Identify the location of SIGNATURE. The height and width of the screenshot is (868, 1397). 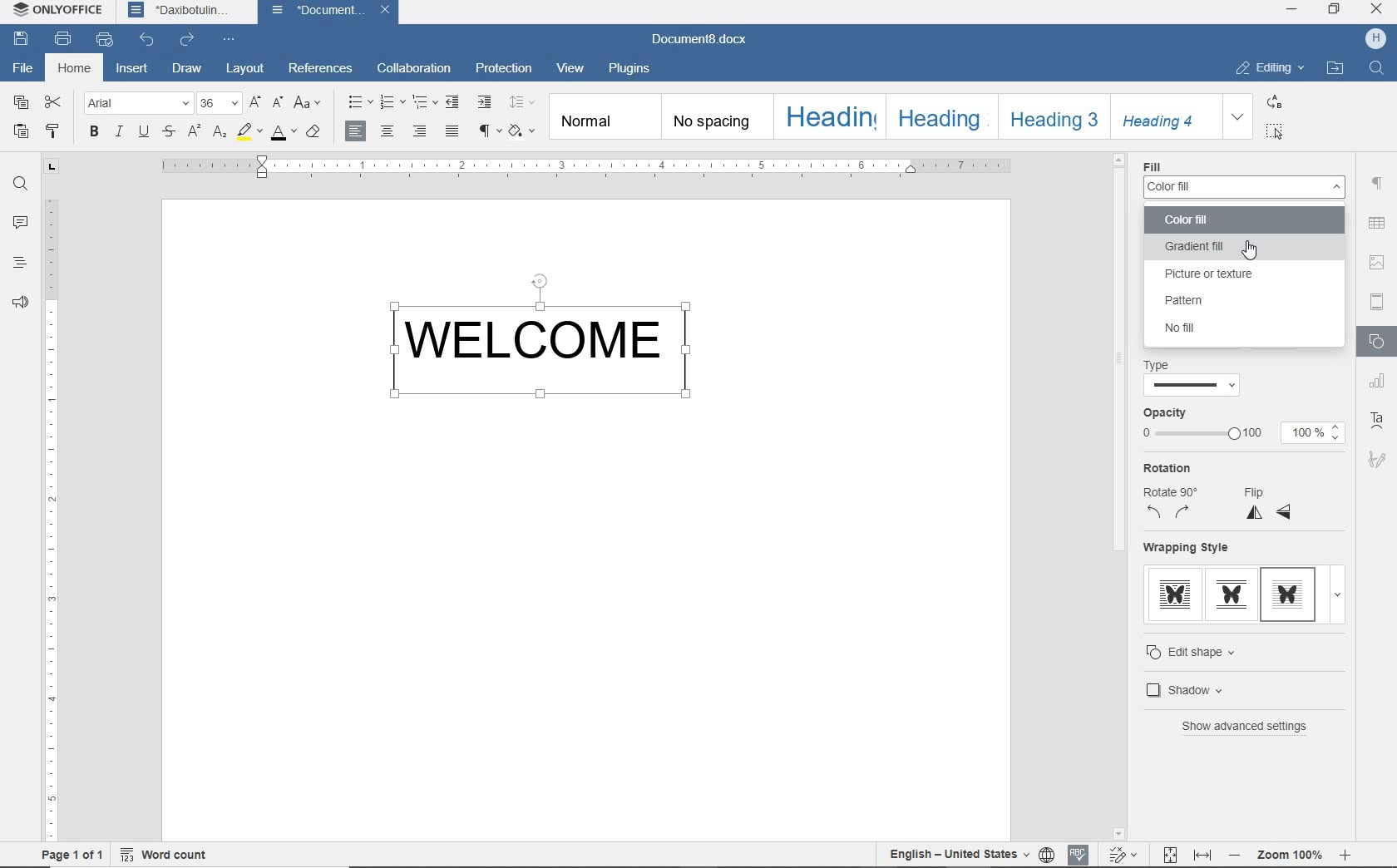
(1378, 459).